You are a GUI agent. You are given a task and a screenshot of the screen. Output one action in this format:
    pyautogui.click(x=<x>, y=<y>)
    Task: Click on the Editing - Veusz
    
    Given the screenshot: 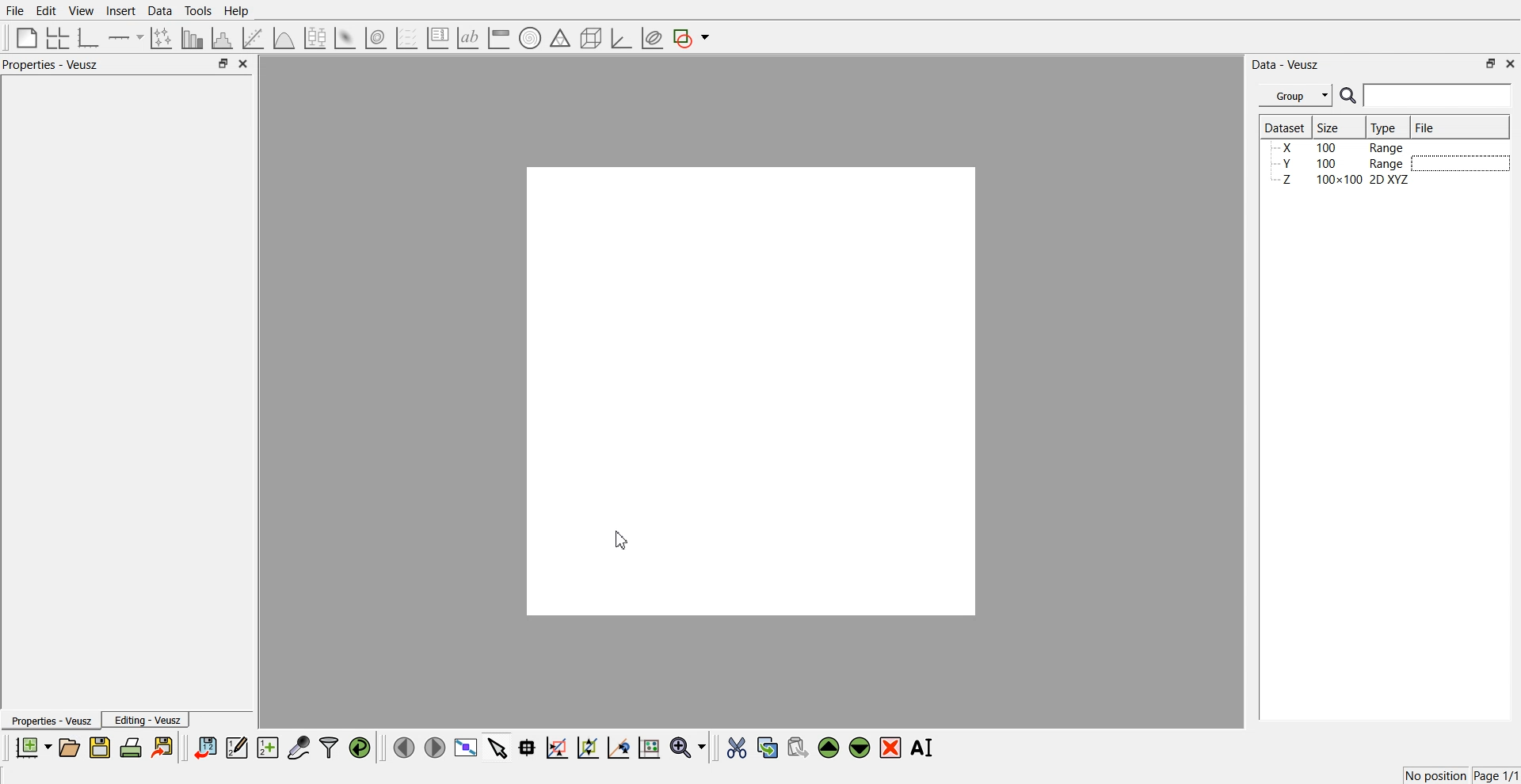 What is the action you would take?
    pyautogui.click(x=146, y=719)
    